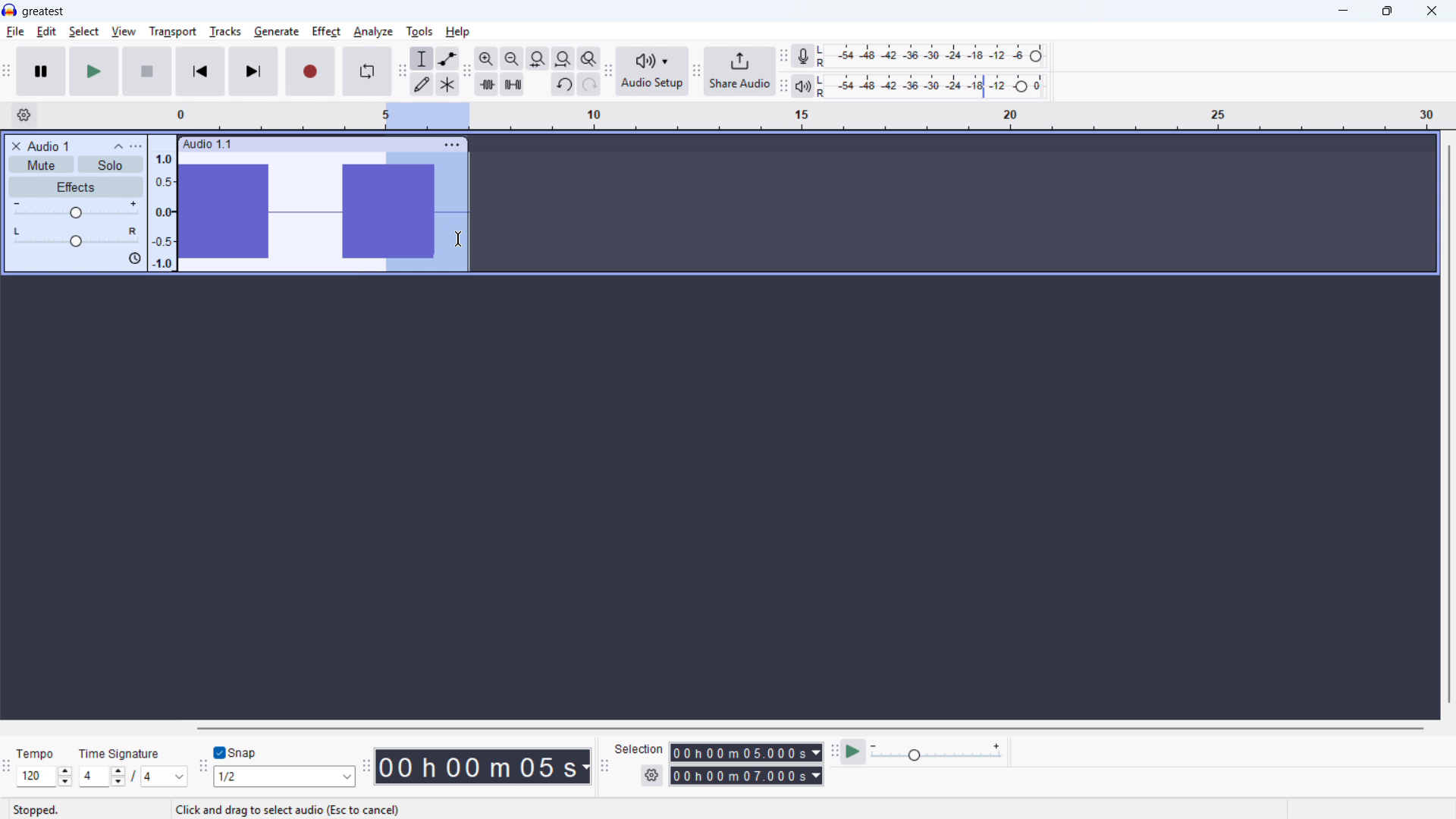  Describe the element at coordinates (403, 71) in the screenshot. I see `Tools toolbar ` at that location.